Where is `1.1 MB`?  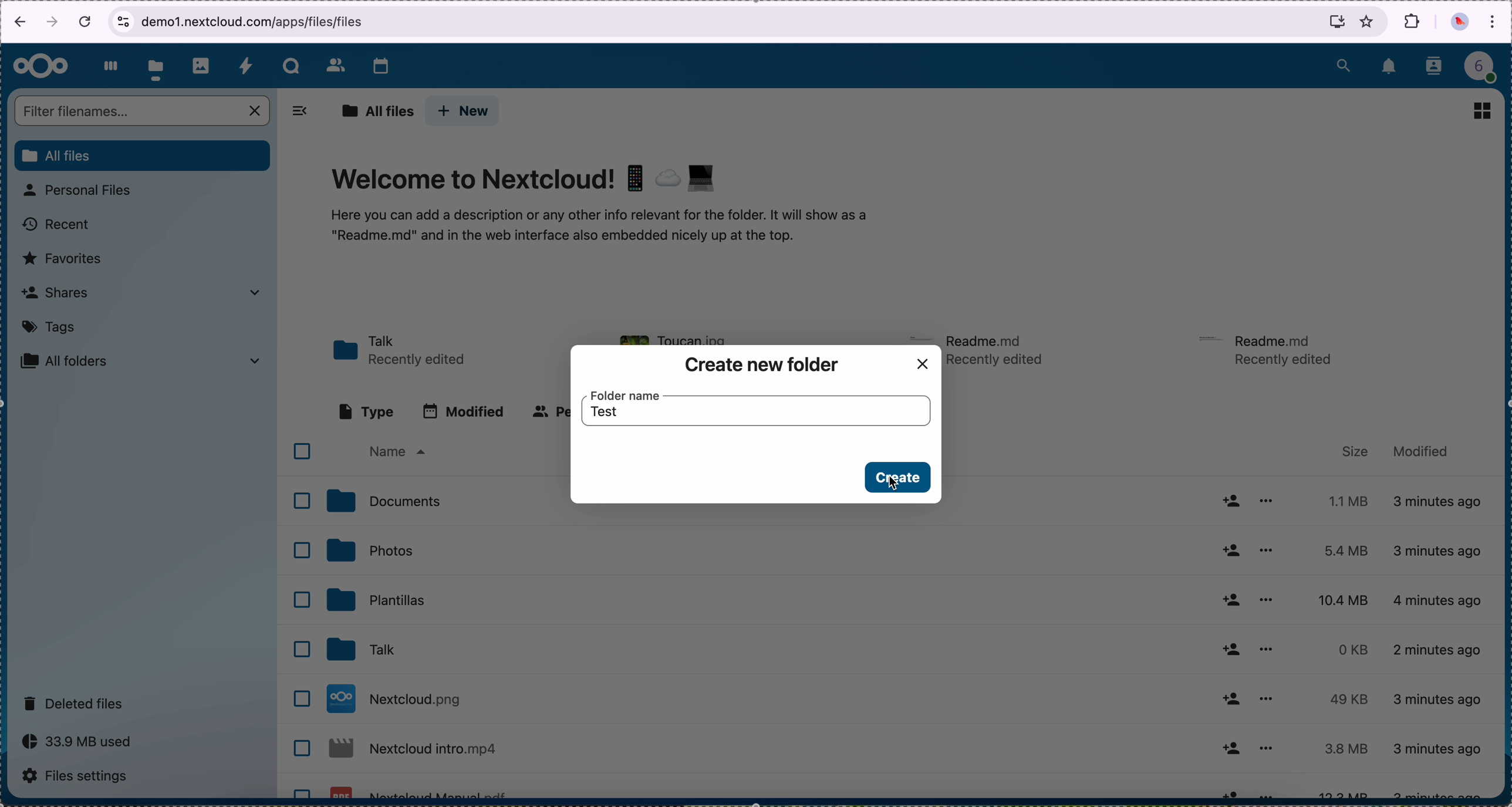 1.1 MB is located at coordinates (1345, 499).